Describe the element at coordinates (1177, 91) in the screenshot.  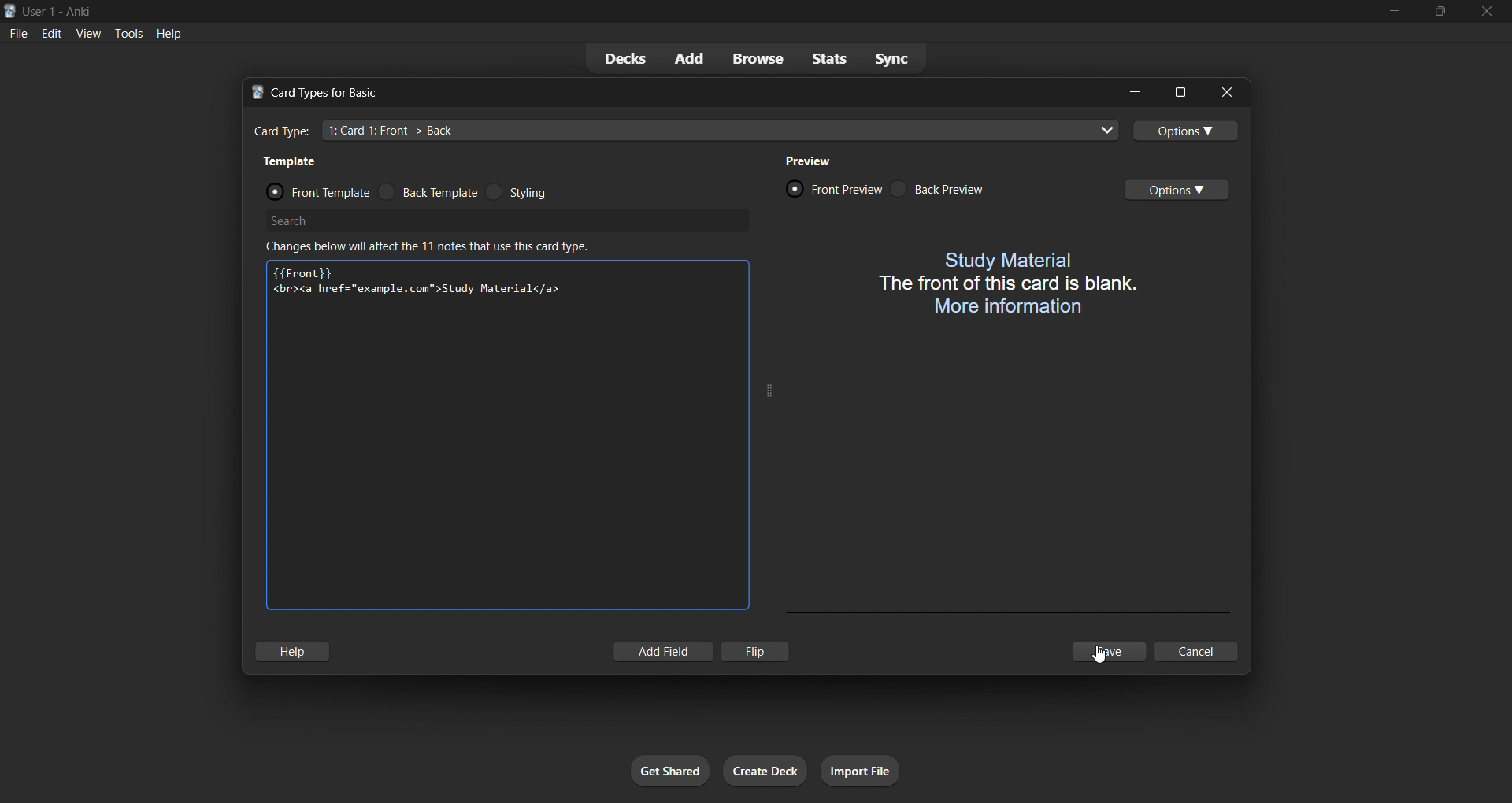
I see `maximize` at that location.